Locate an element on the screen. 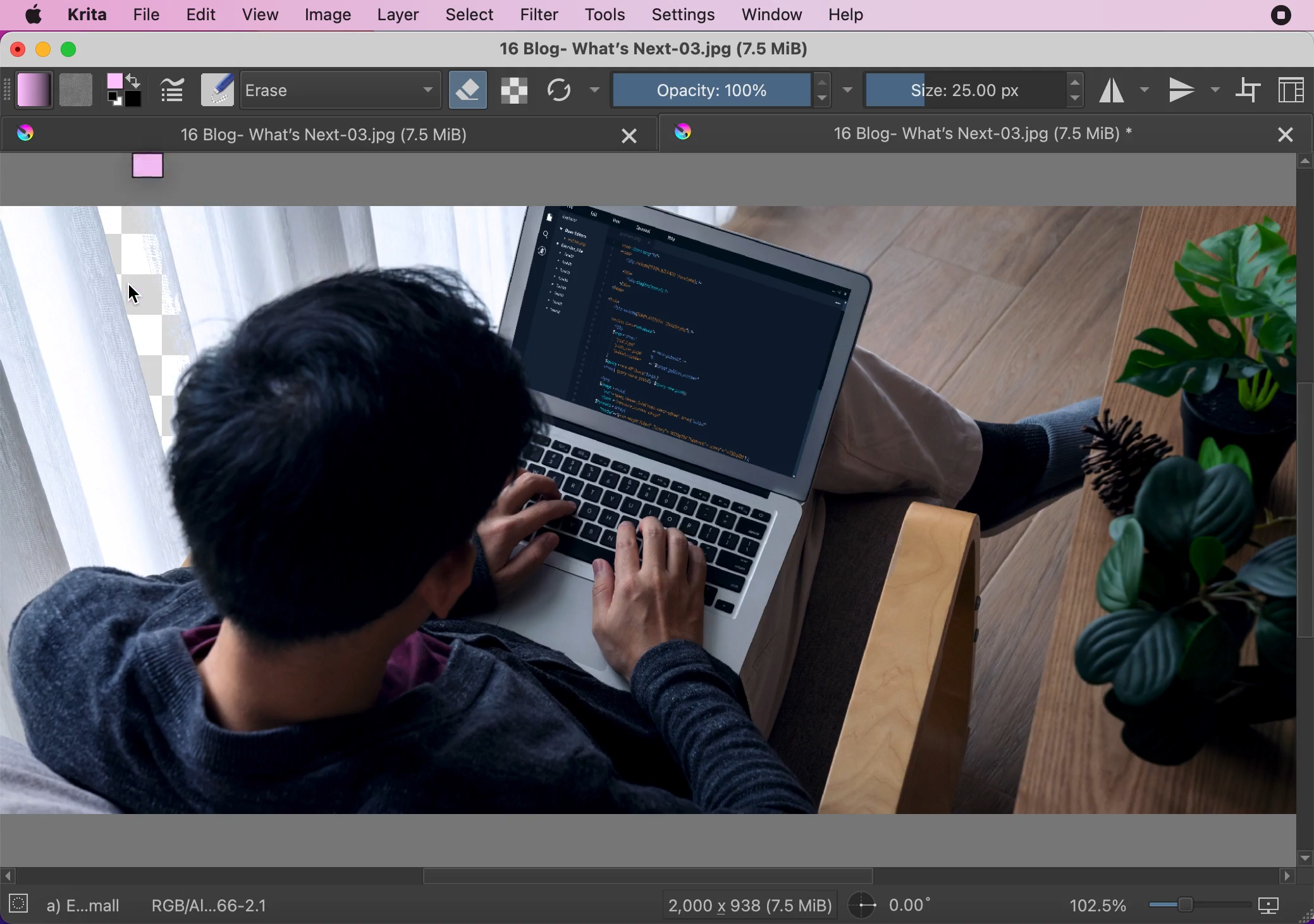 Image resolution: width=1314 pixels, height=924 pixels. image is located at coordinates (332, 16).